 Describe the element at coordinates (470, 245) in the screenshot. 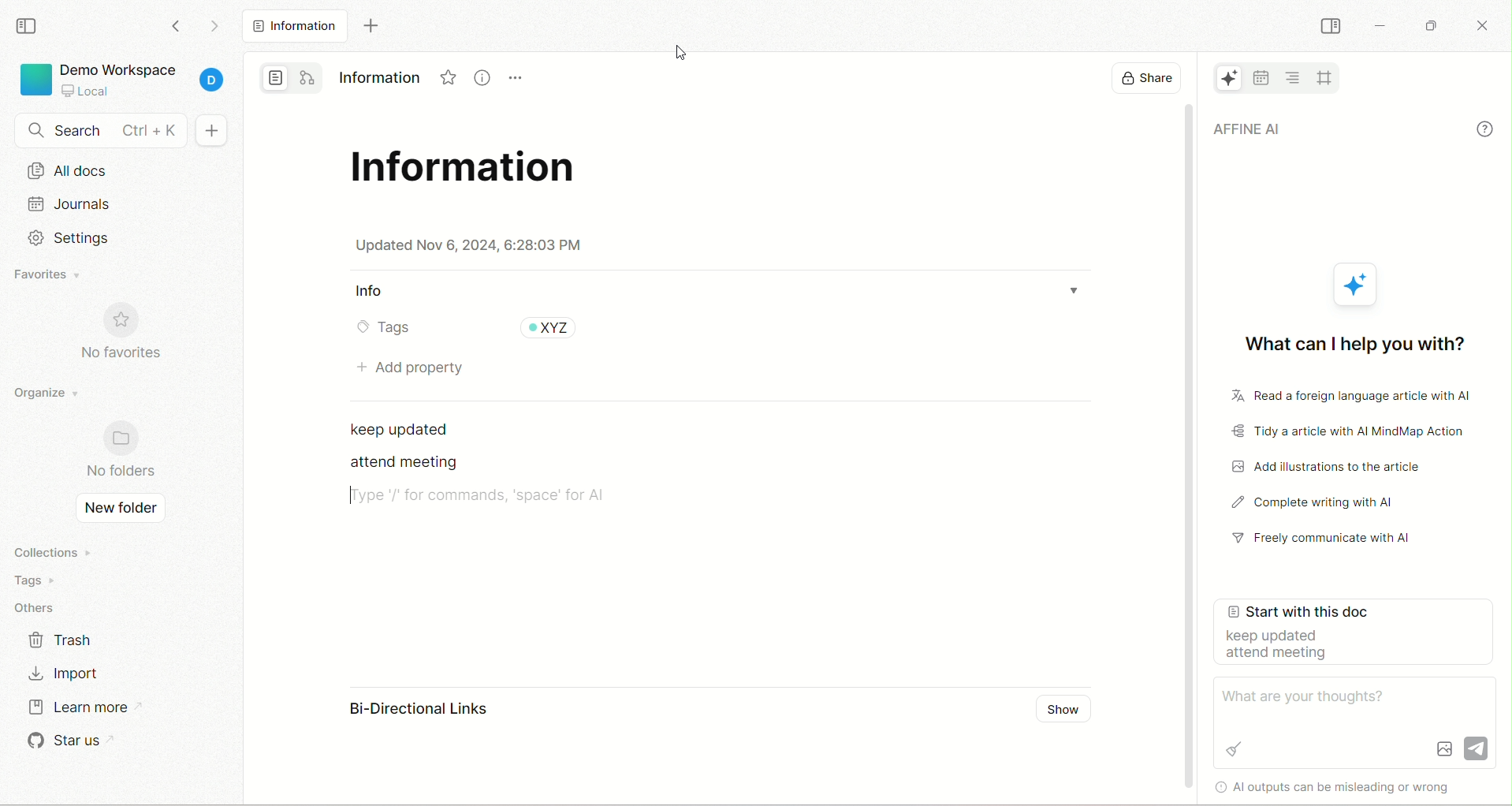

I see `date & time` at that location.